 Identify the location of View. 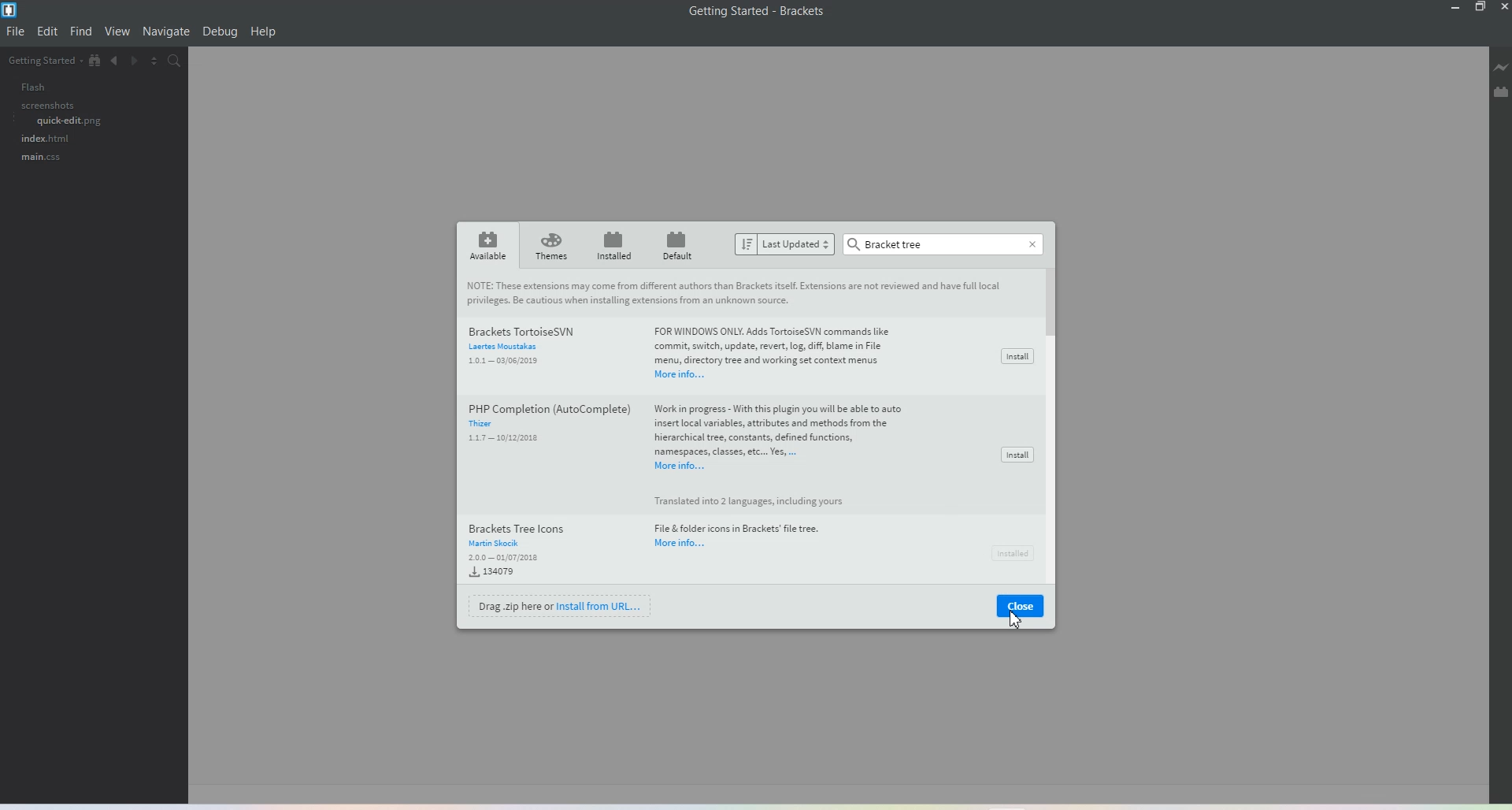
(118, 32).